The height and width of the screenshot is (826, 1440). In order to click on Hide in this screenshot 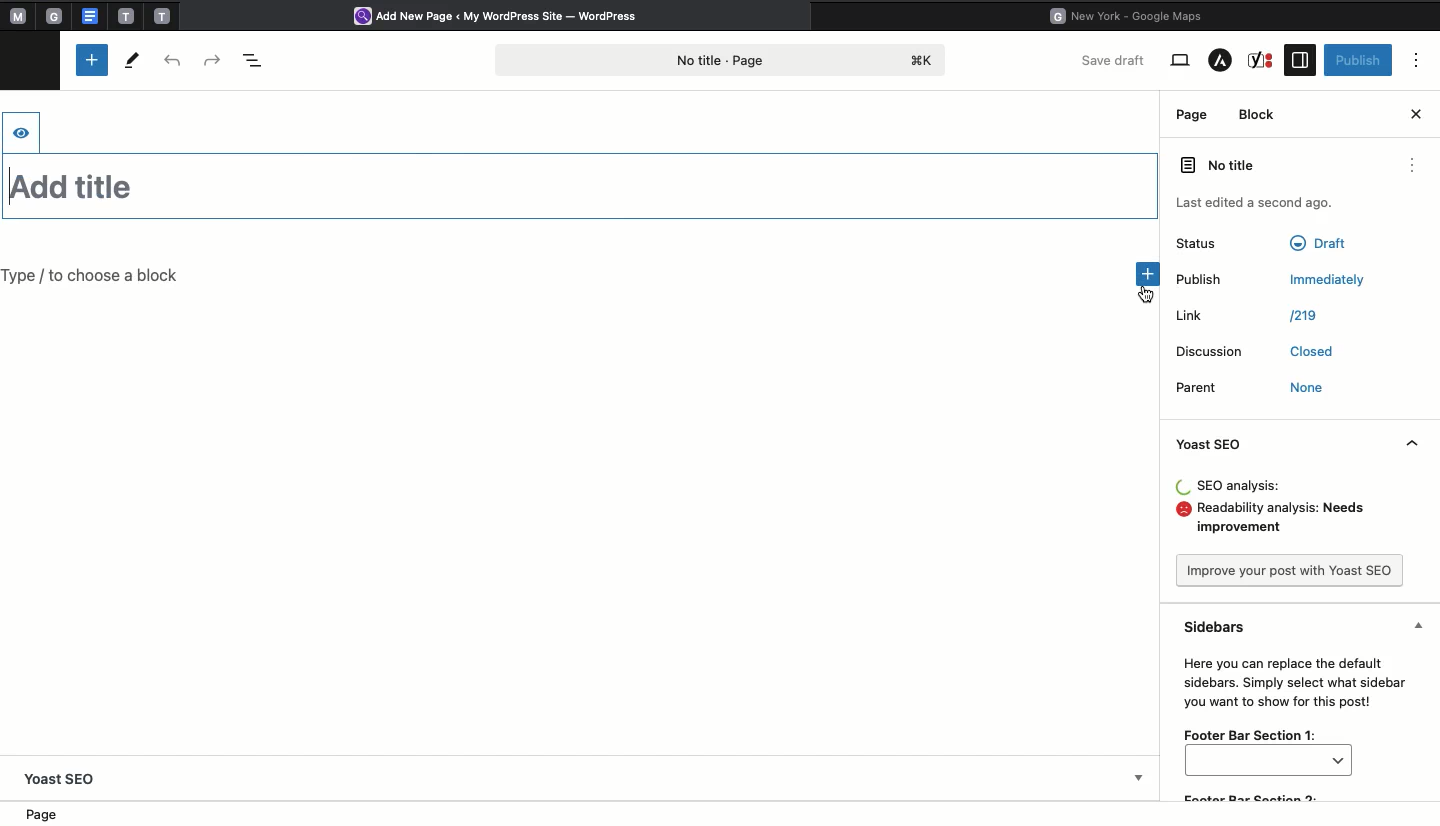, I will do `click(1418, 536)`.